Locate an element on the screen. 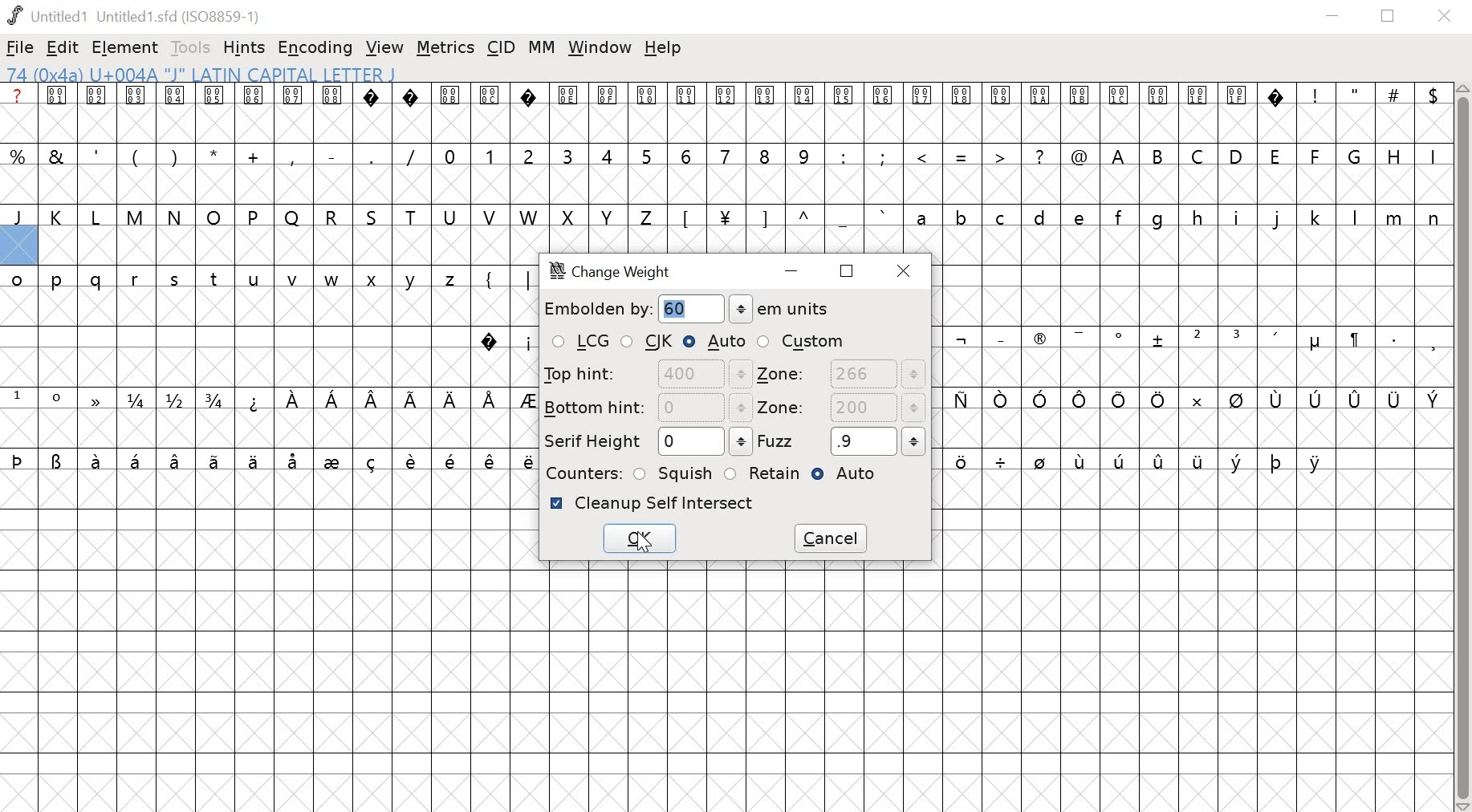 The image size is (1472, 812). symbol is located at coordinates (93, 398).